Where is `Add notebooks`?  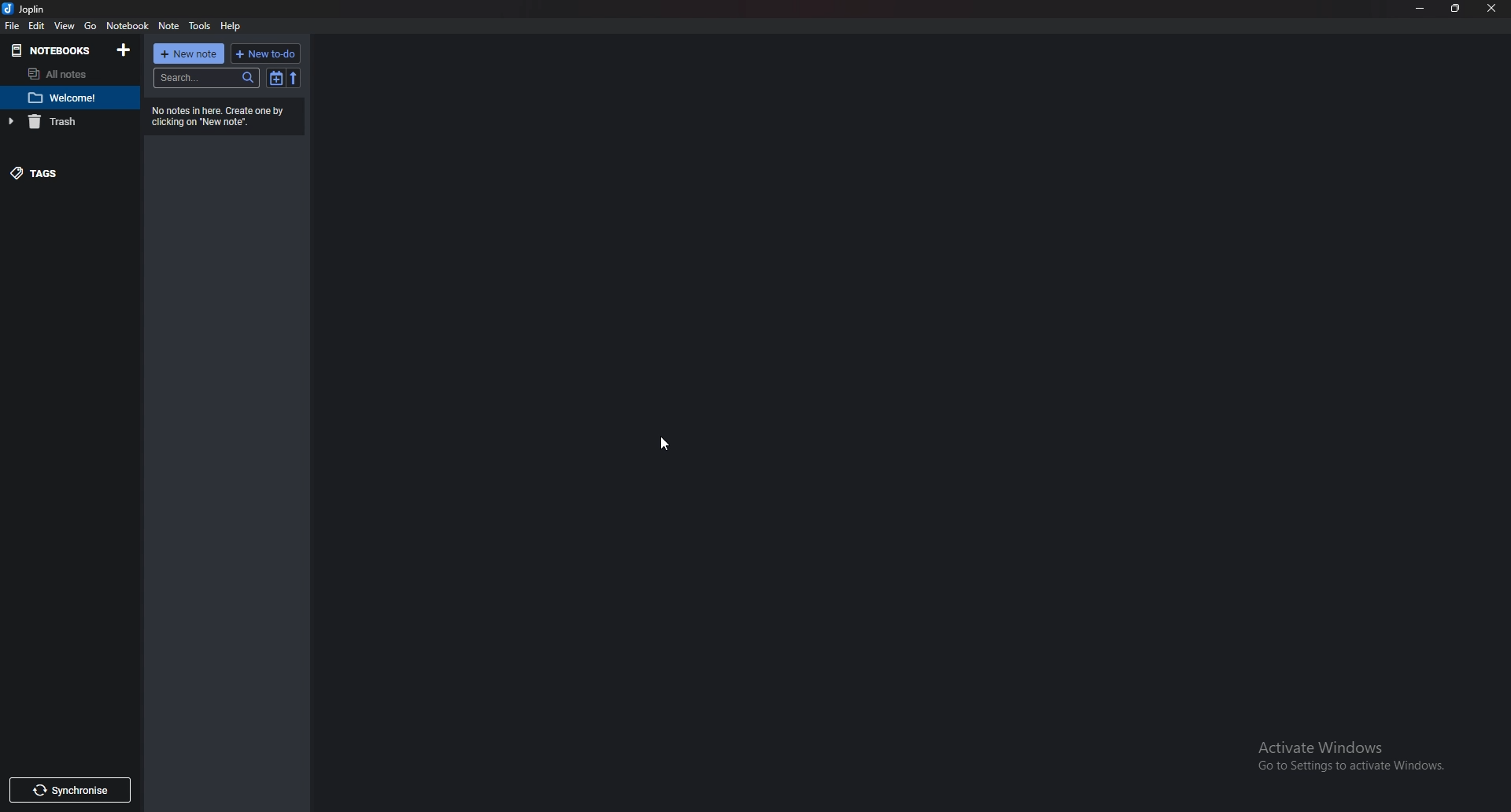 Add notebooks is located at coordinates (124, 50).